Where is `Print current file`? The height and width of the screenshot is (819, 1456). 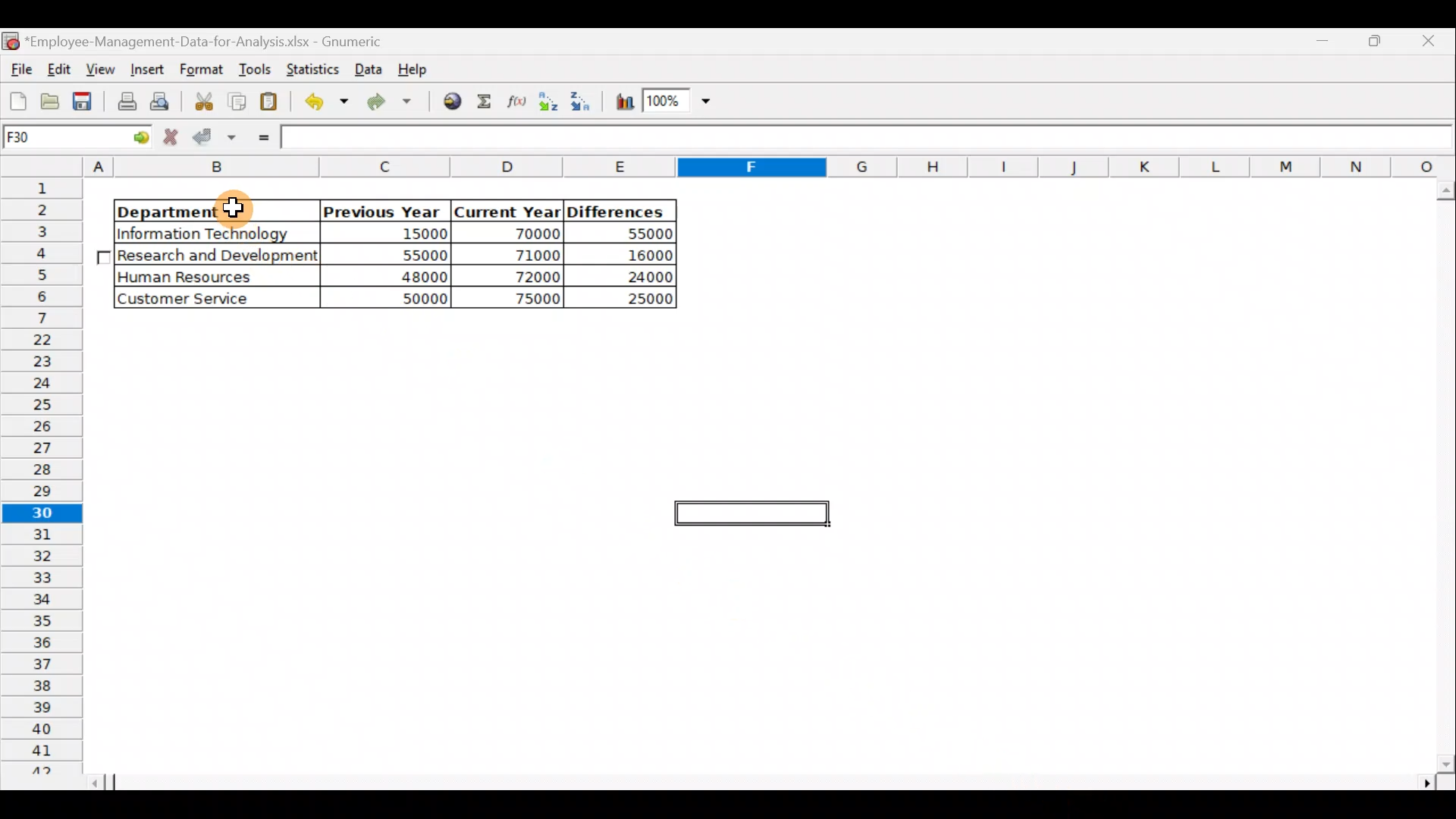 Print current file is located at coordinates (124, 103).